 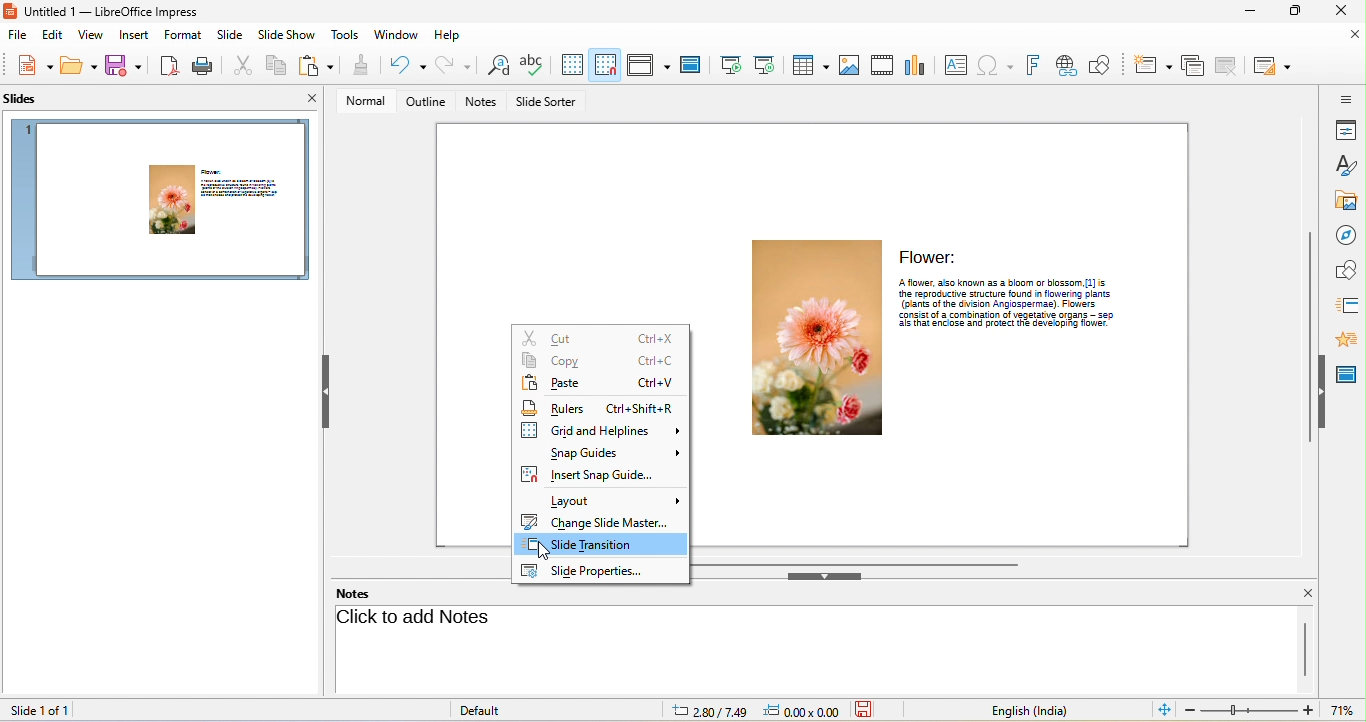 What do you see at coordinates (882, 65) in the screenshot?
I see `video/audio` at bounding box center [882, 65].